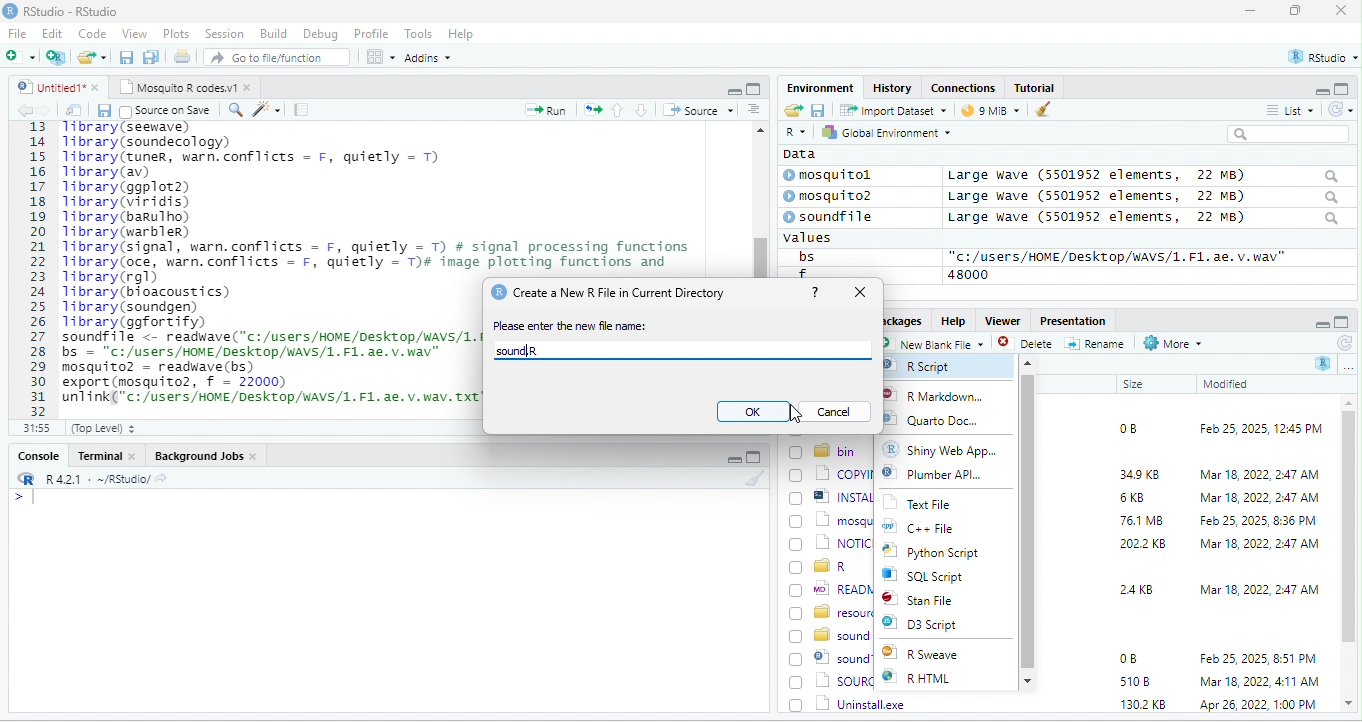 This screenshot has height=722, width=1362. I want to click on minimize, so click(1320, 323).